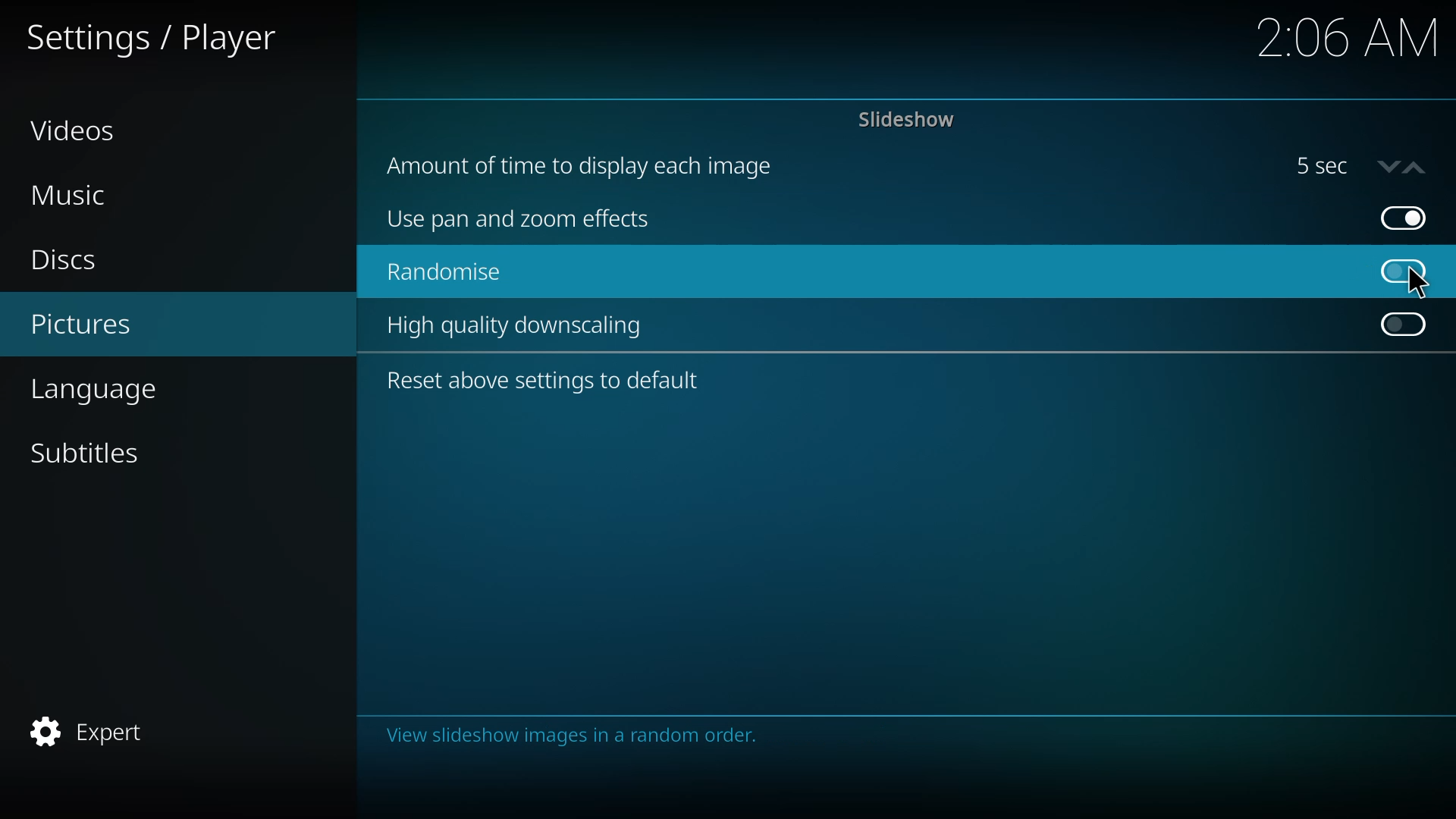  What do you see at coordinates (92, 390) in the screenshot?
I see `language` at bounding box center [92, 390].